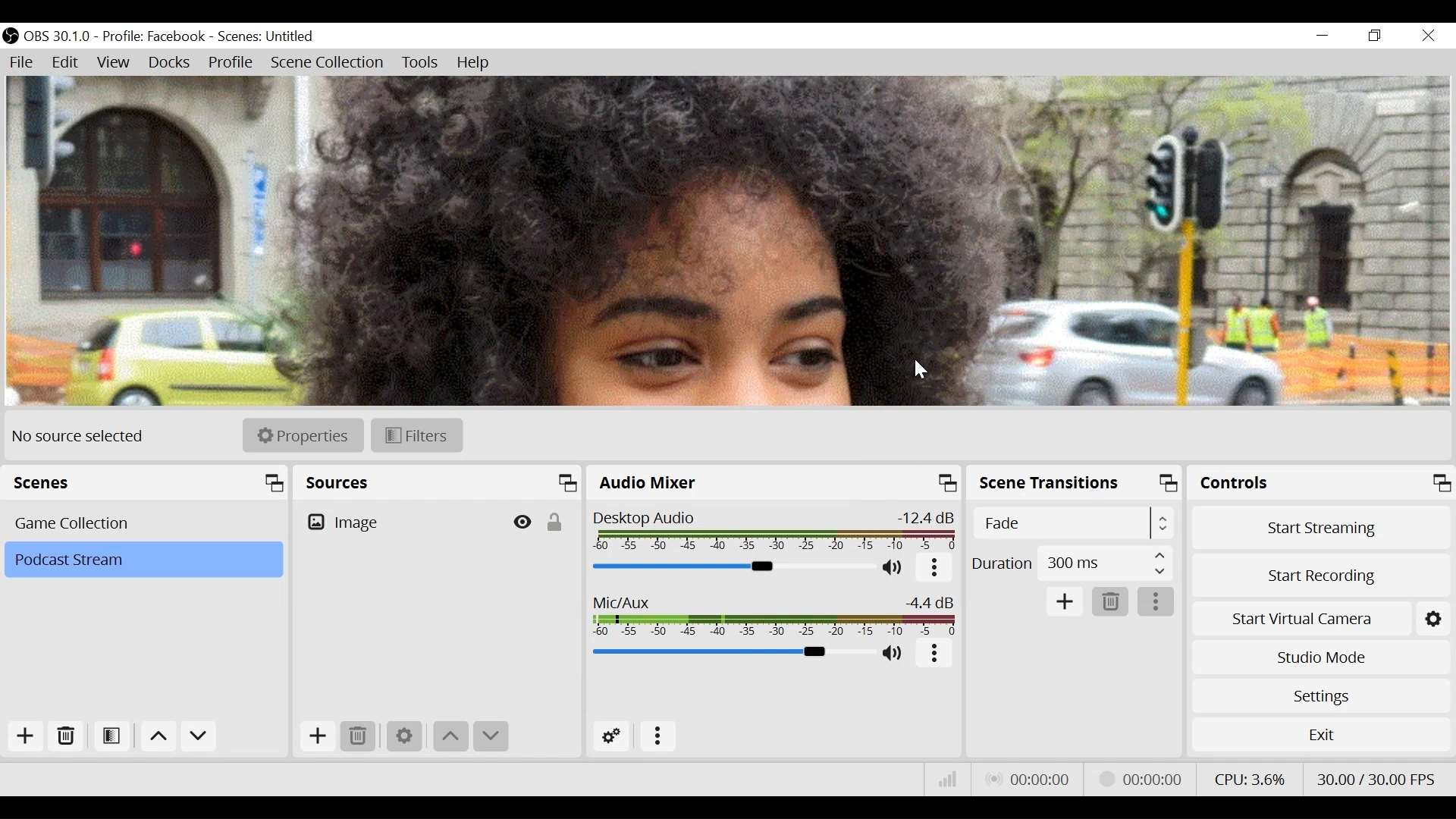  Describe the element at coordinates (416, 436) in the screenshot. I see `Filters` at that location.